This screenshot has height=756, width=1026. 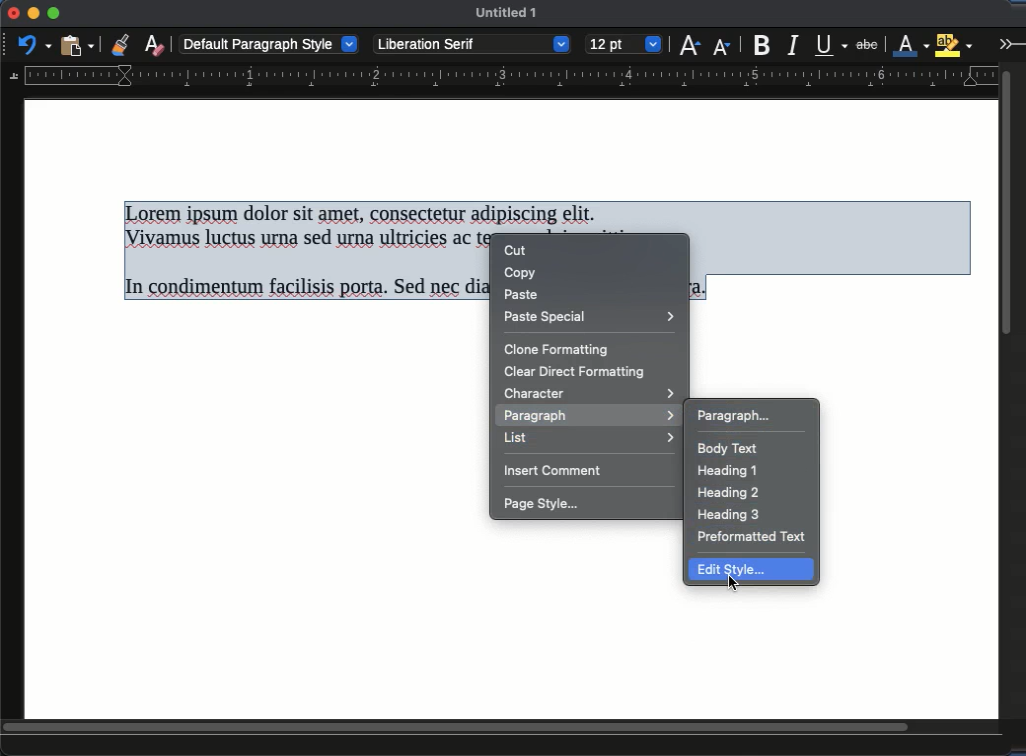 I want to click on clear direct formatting, so click(x=575, y=372).